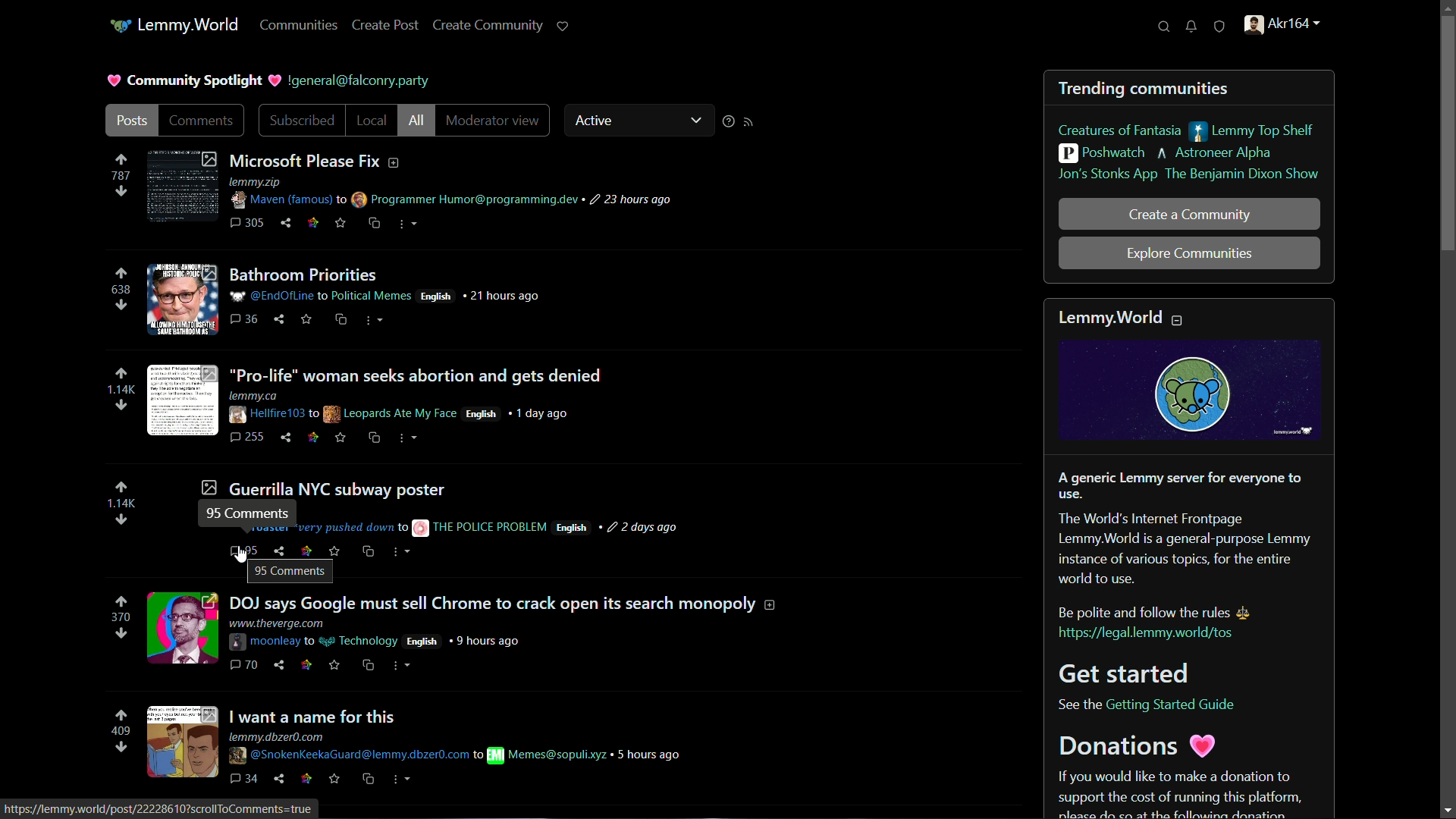 The height and width of the screenshot is (819, 1456). Describe the element at coordinates (1150, 635) in the screenshot. I see `| https://legal.lemmy.world/tos` at that location.